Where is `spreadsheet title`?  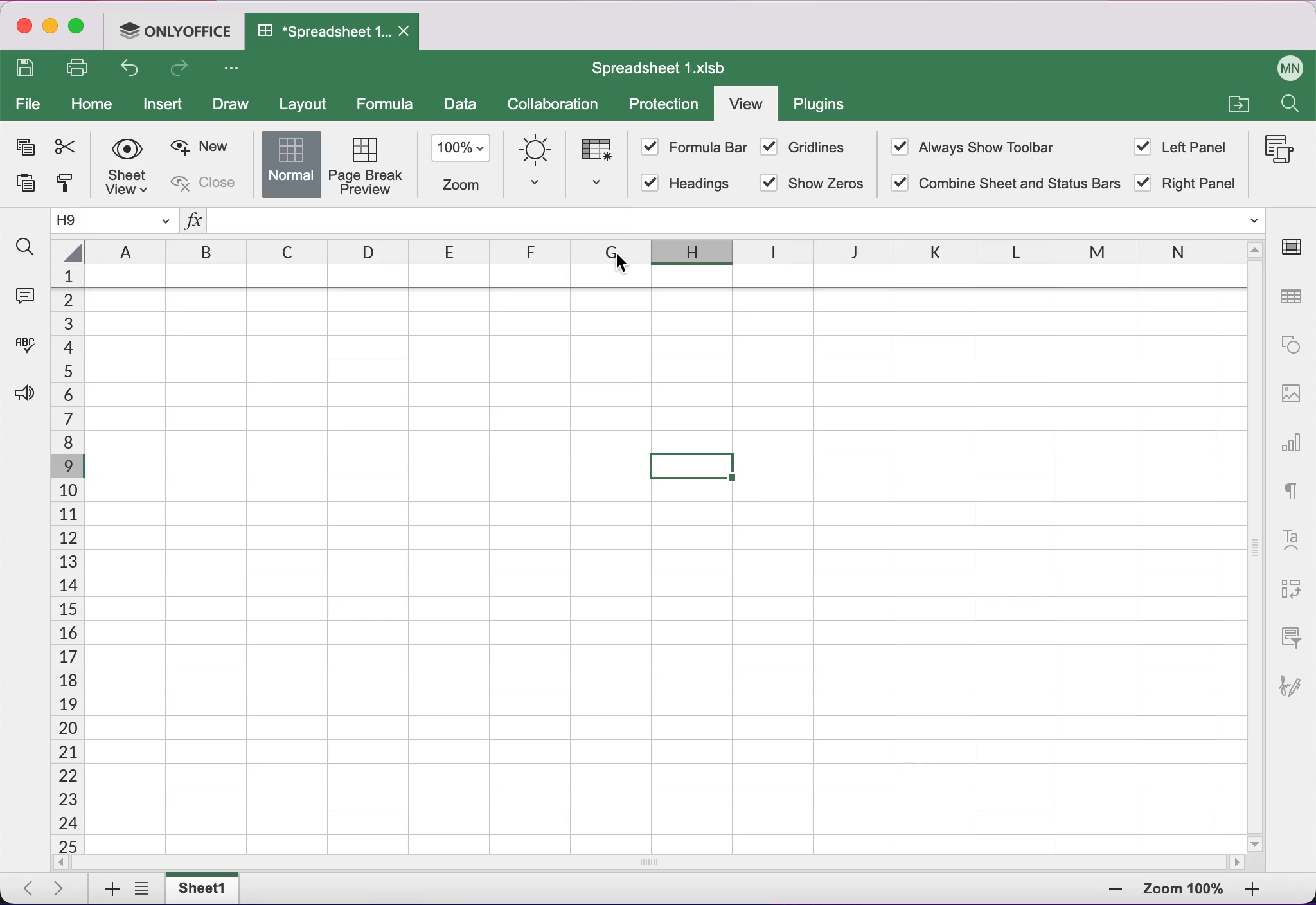 spreadsheet title is located at coordinates (658, 67).